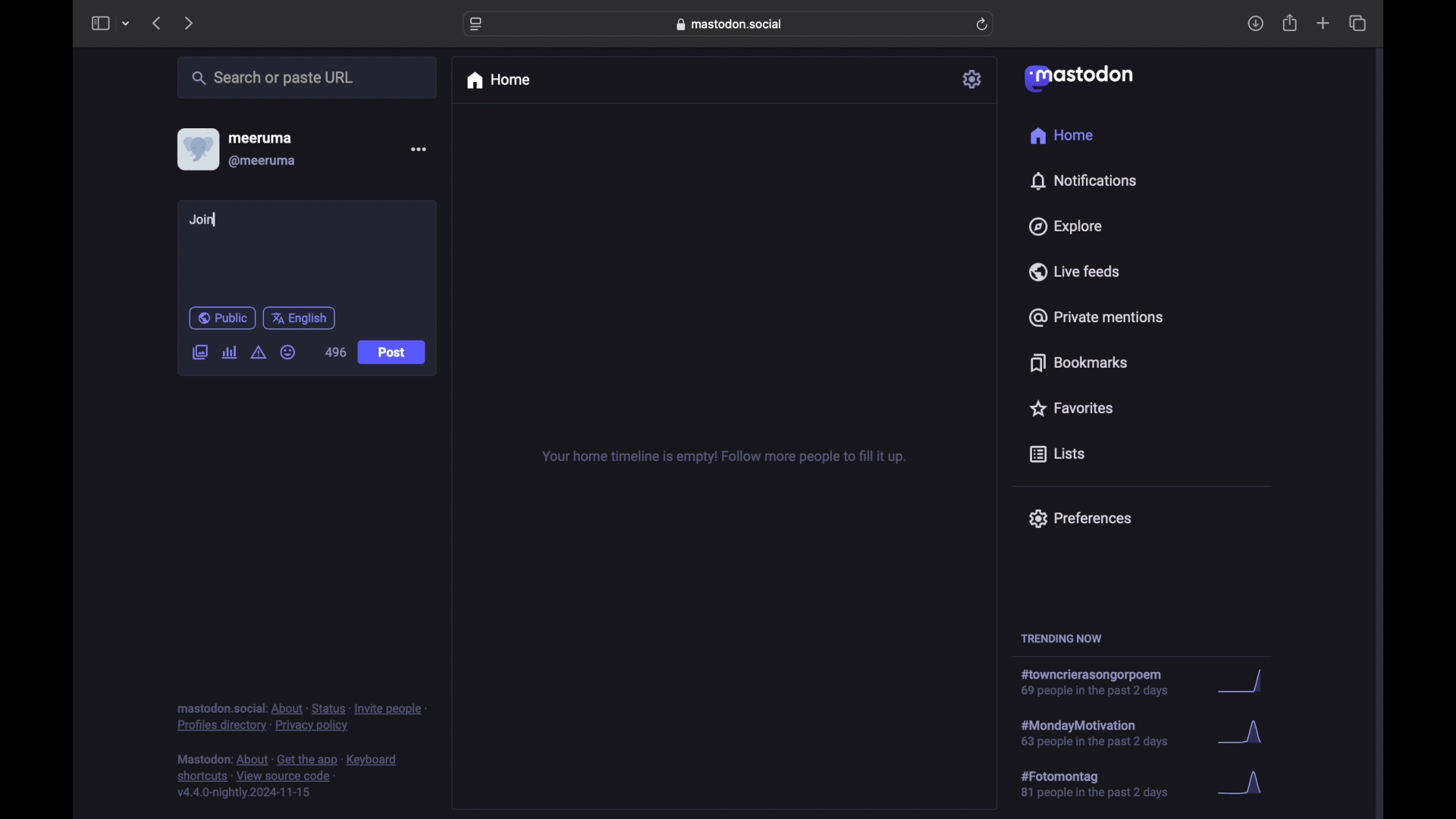  I want to click on lists, so click(1057, 455).